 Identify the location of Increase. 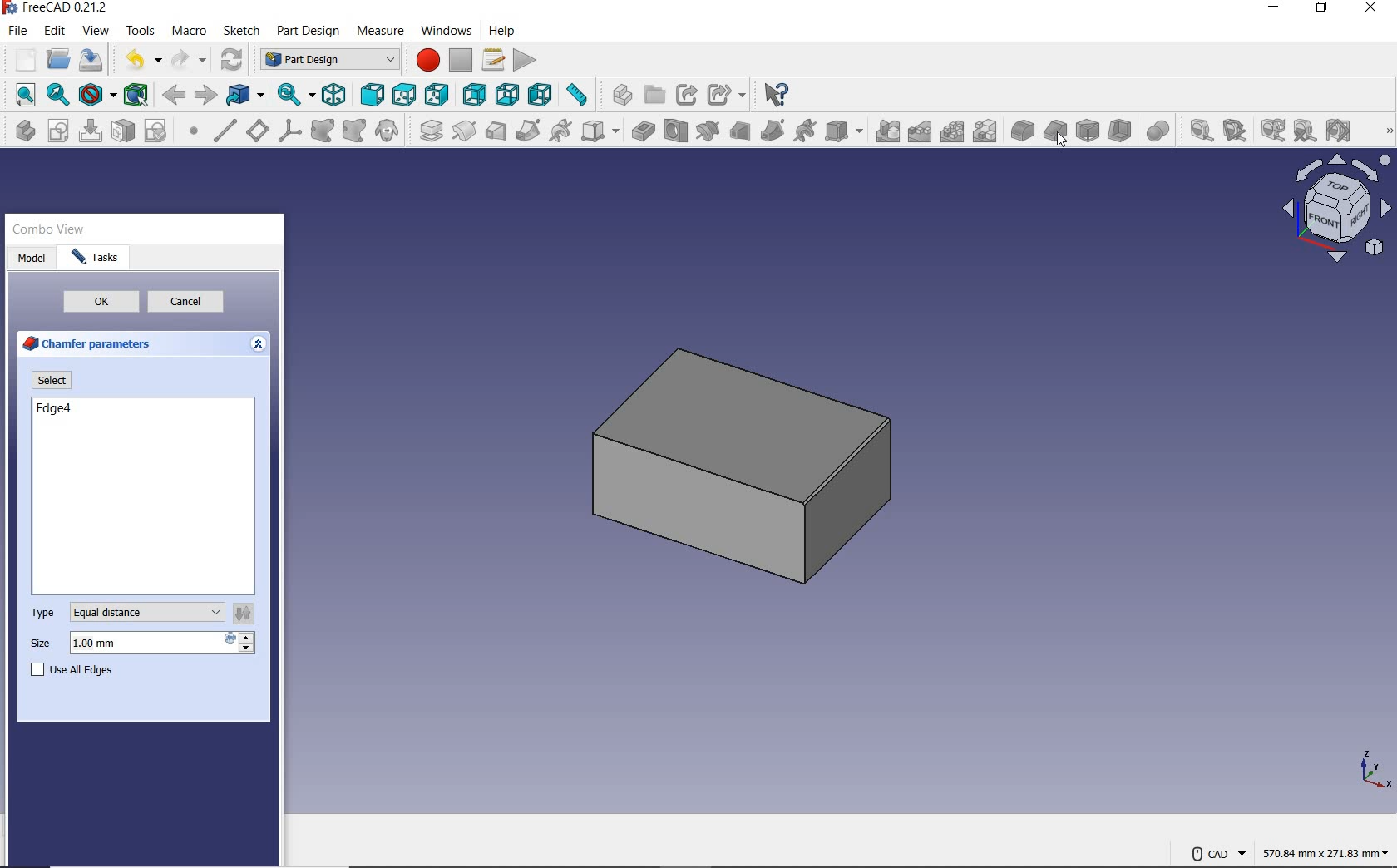
(241, 636).